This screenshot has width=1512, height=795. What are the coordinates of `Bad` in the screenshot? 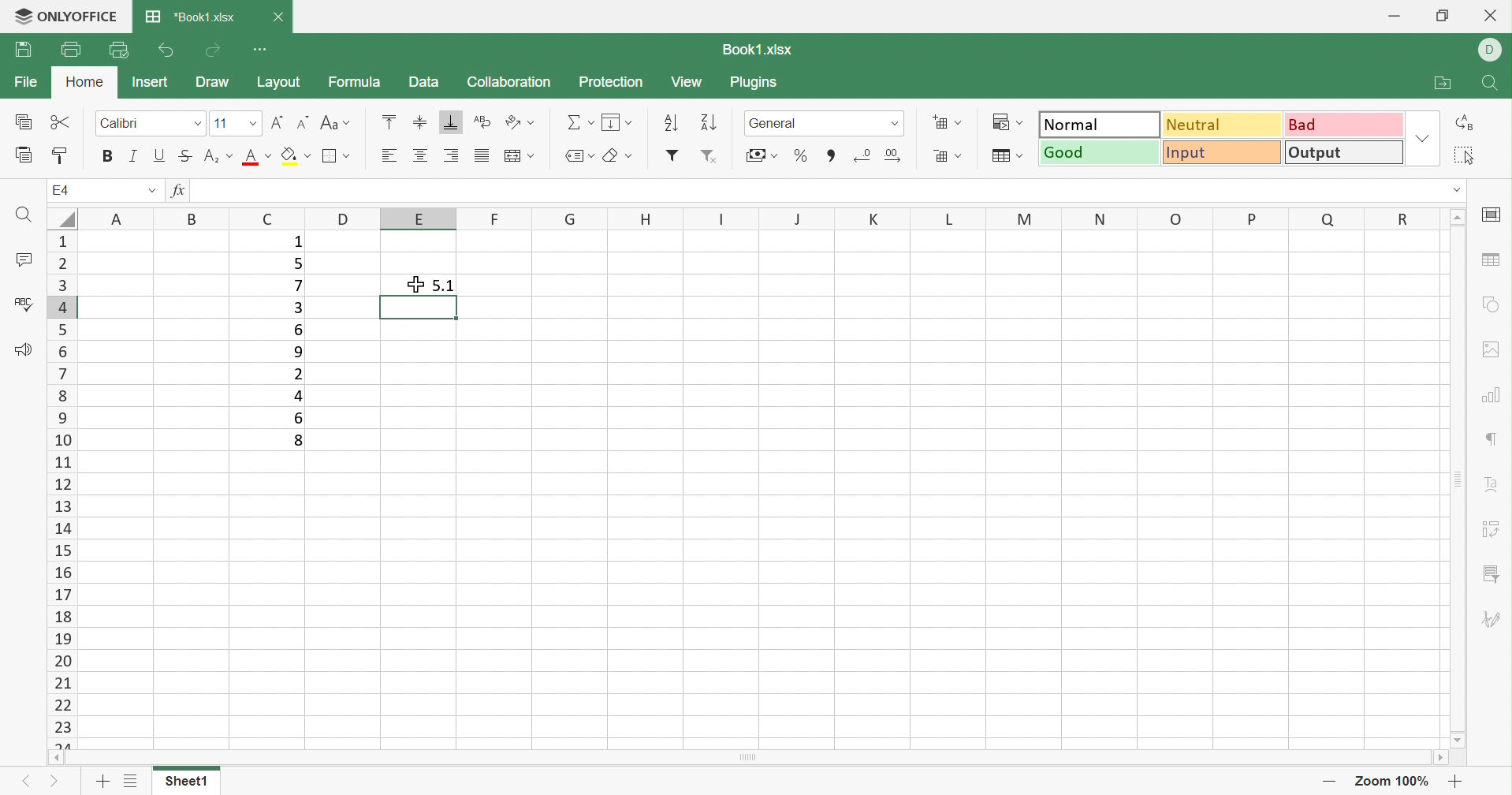 It's located at (1343, 125).